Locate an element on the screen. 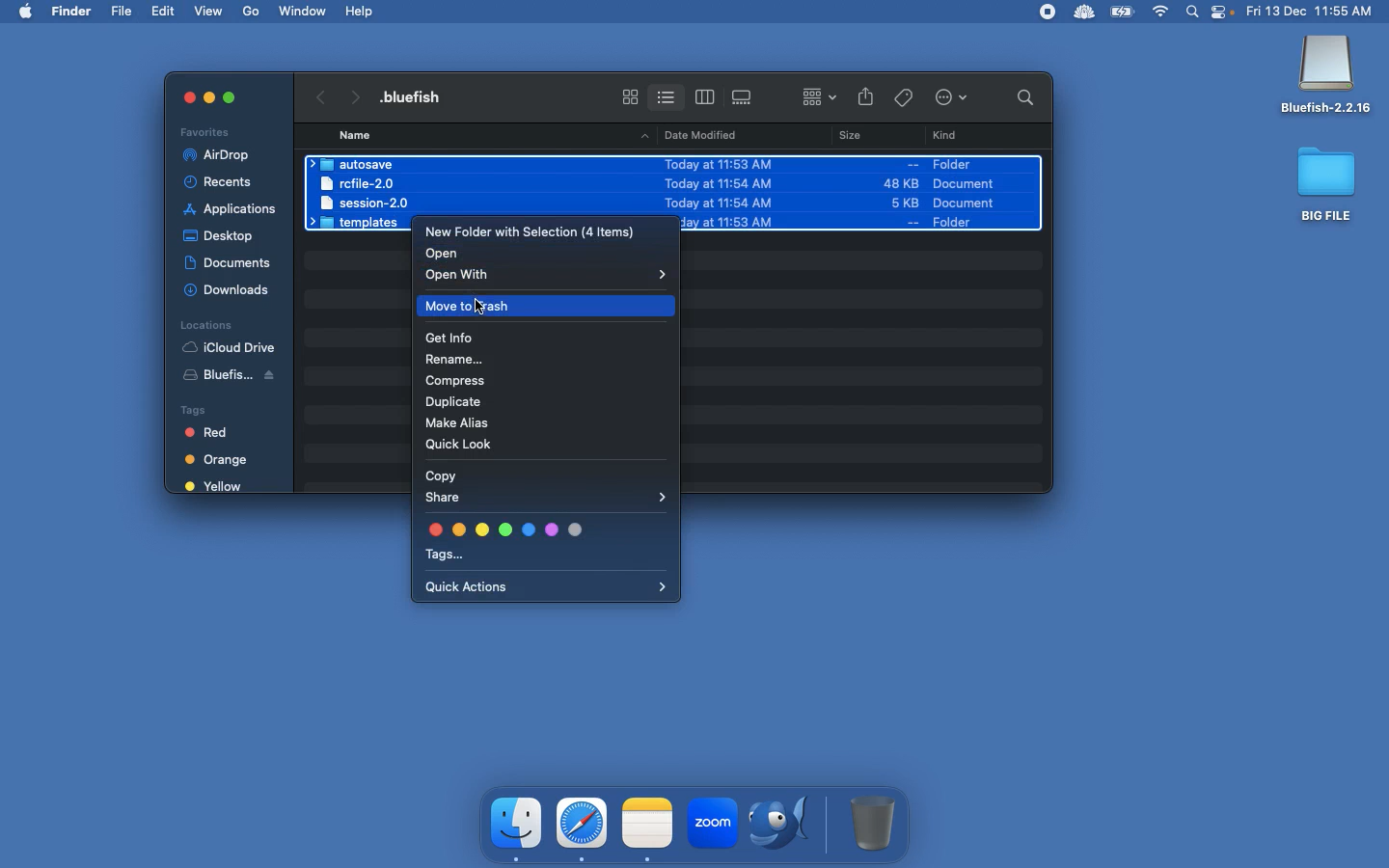 This screenshot has height=868, width=1389. close is located at coordinates (179, 96).